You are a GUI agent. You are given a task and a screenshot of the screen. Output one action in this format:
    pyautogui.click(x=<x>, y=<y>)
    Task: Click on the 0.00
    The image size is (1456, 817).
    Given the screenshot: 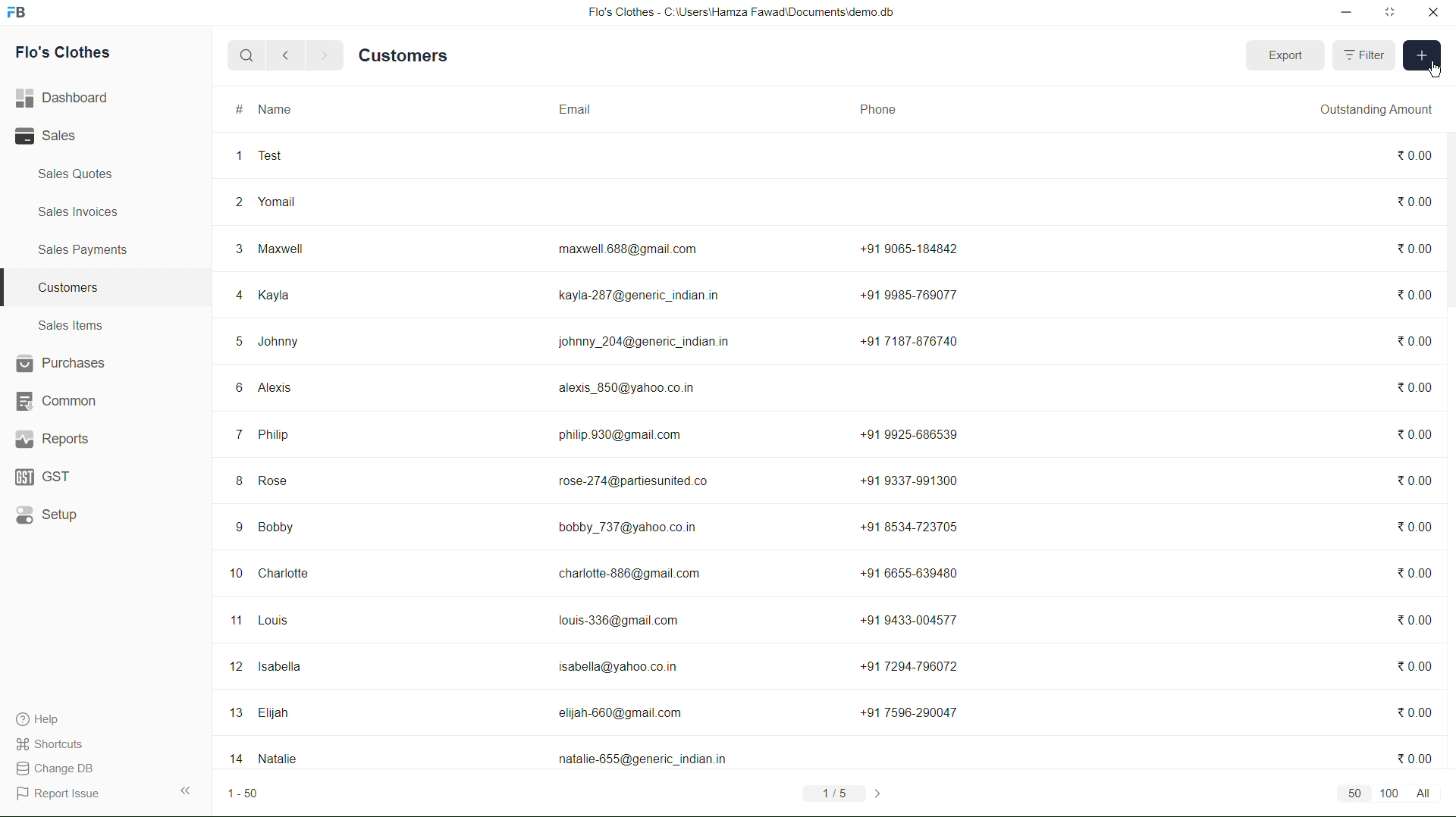 What is the action you would take?
    pyautogui.click(x=1418, y=153)
    